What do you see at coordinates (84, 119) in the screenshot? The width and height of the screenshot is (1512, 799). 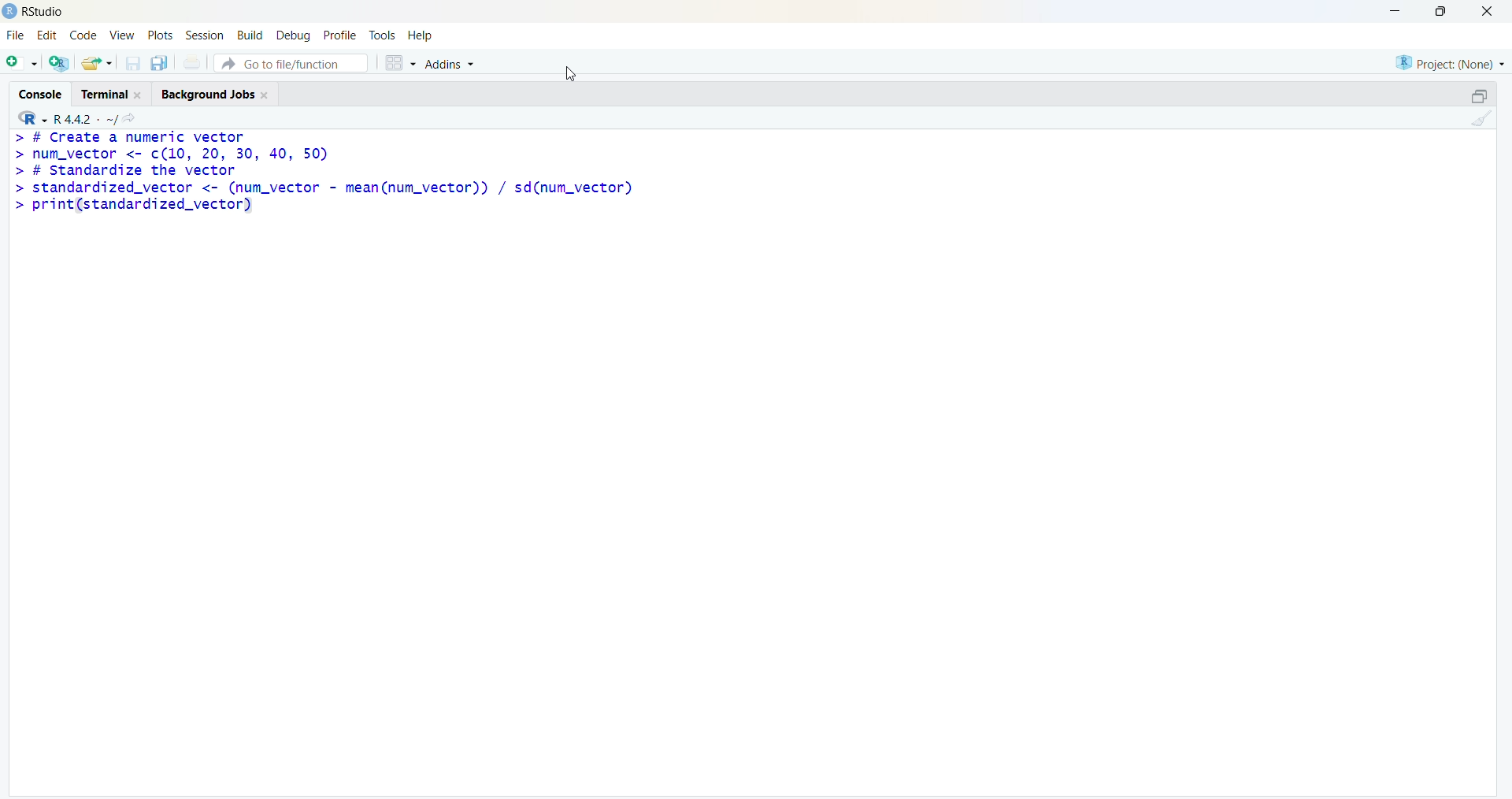 I see `R 4.4.2 ~/` at bounding box center [84, 119].